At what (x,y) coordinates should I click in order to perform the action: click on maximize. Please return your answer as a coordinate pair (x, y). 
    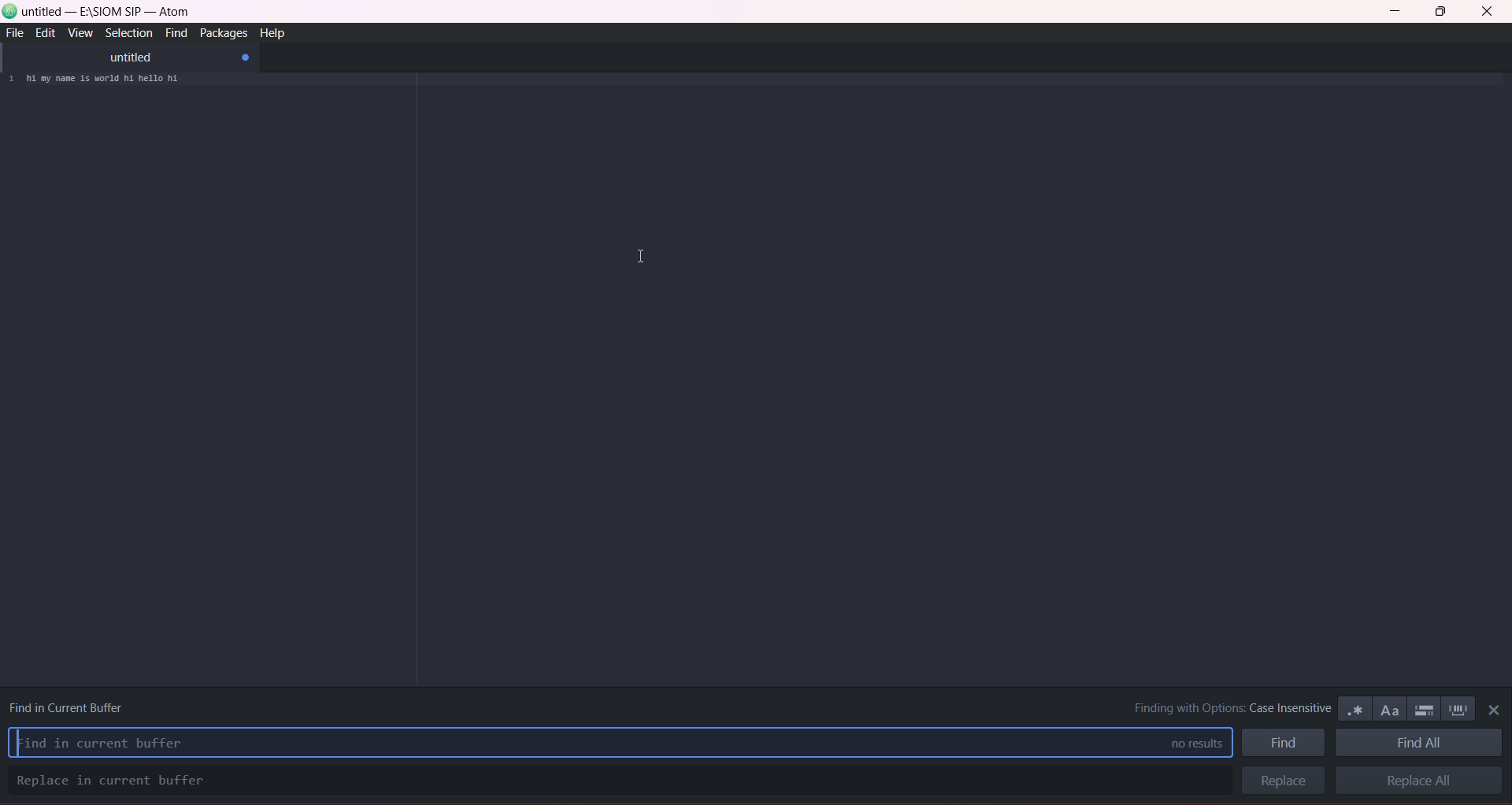
    Looking at the image, I should click on (1441, 13).